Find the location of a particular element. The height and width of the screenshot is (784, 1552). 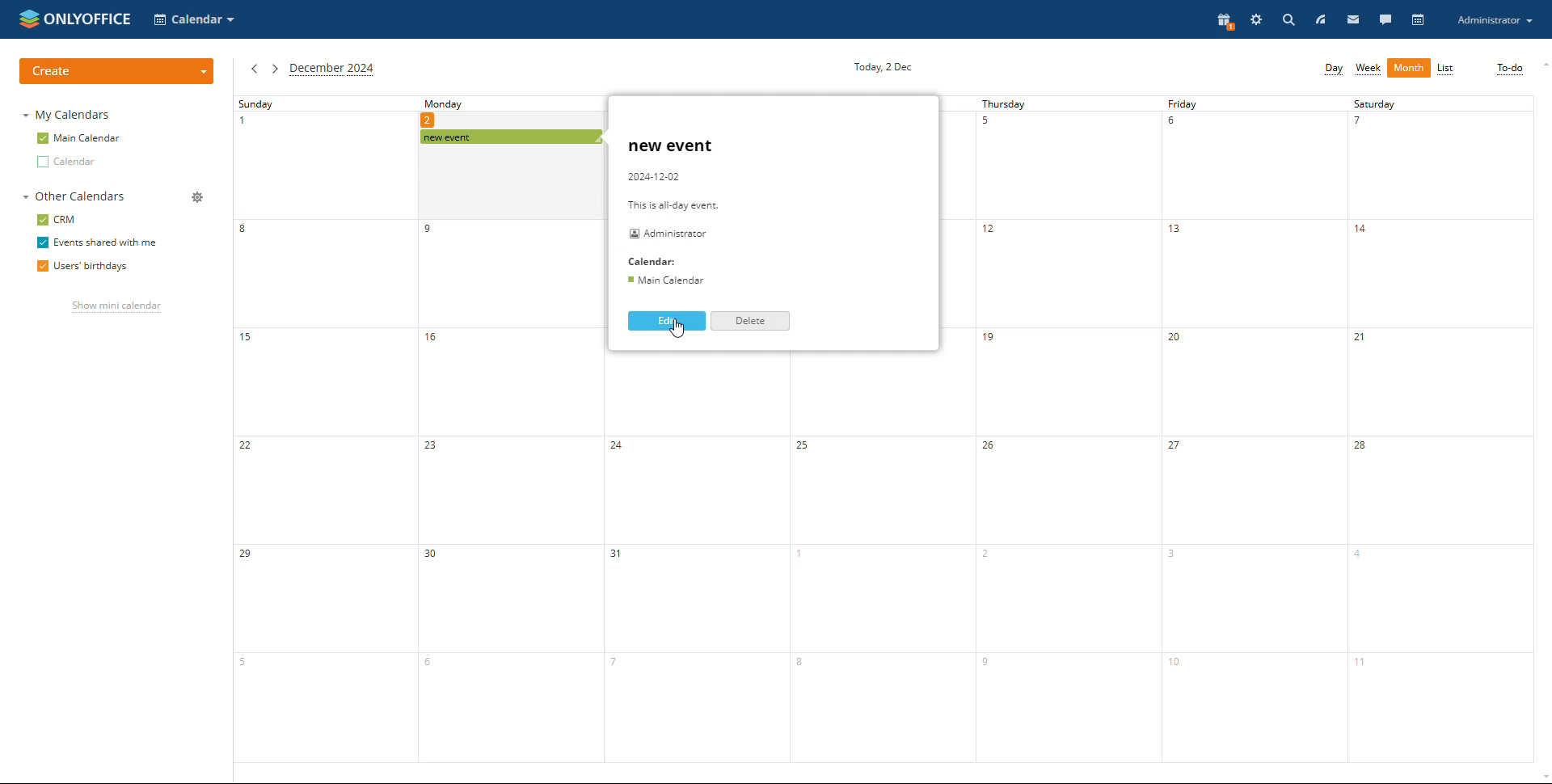

to-do is located at coordinates (1511, 70).